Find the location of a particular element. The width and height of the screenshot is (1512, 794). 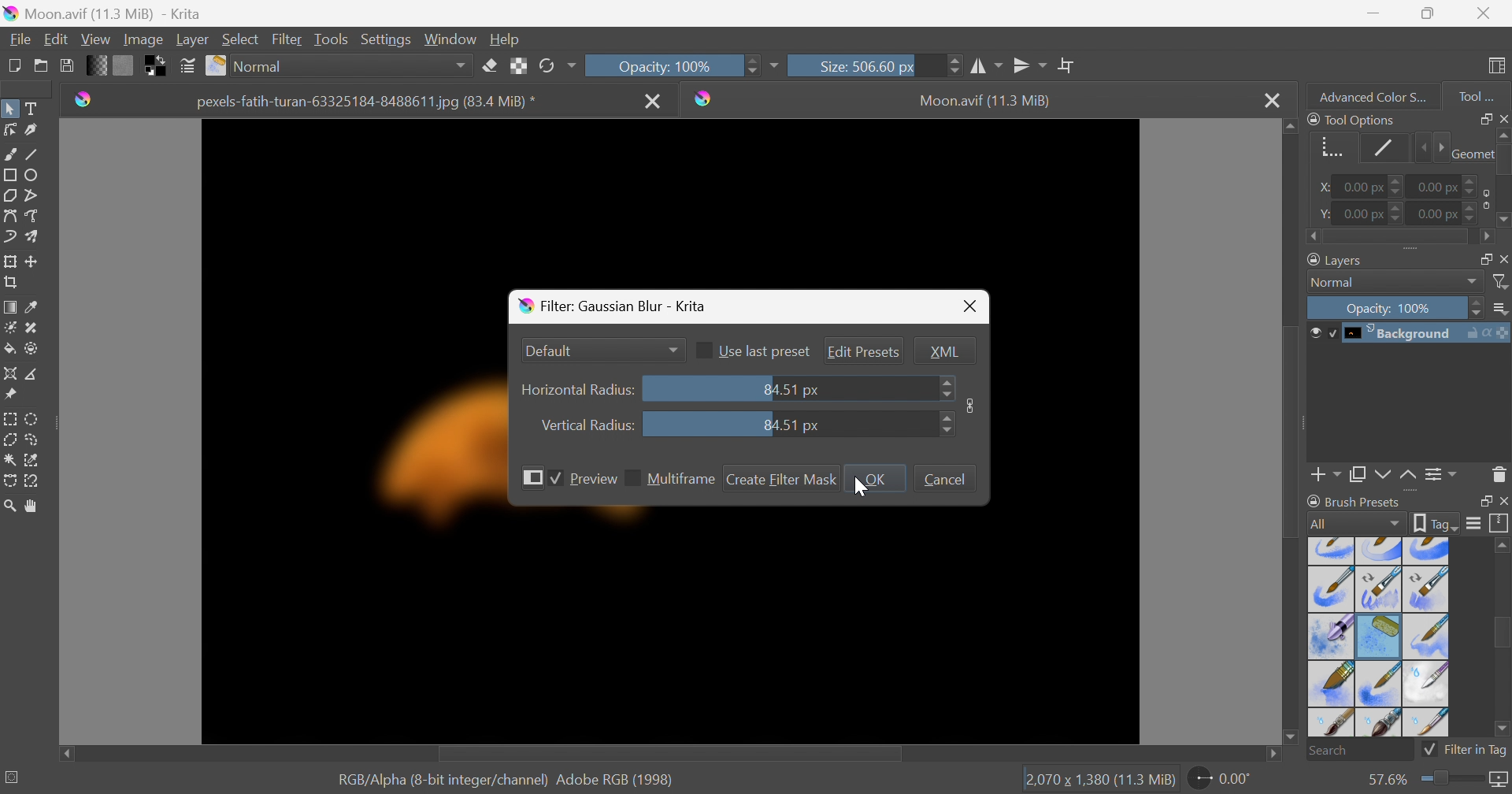

Scroll left is located at coordinates (65, 751).